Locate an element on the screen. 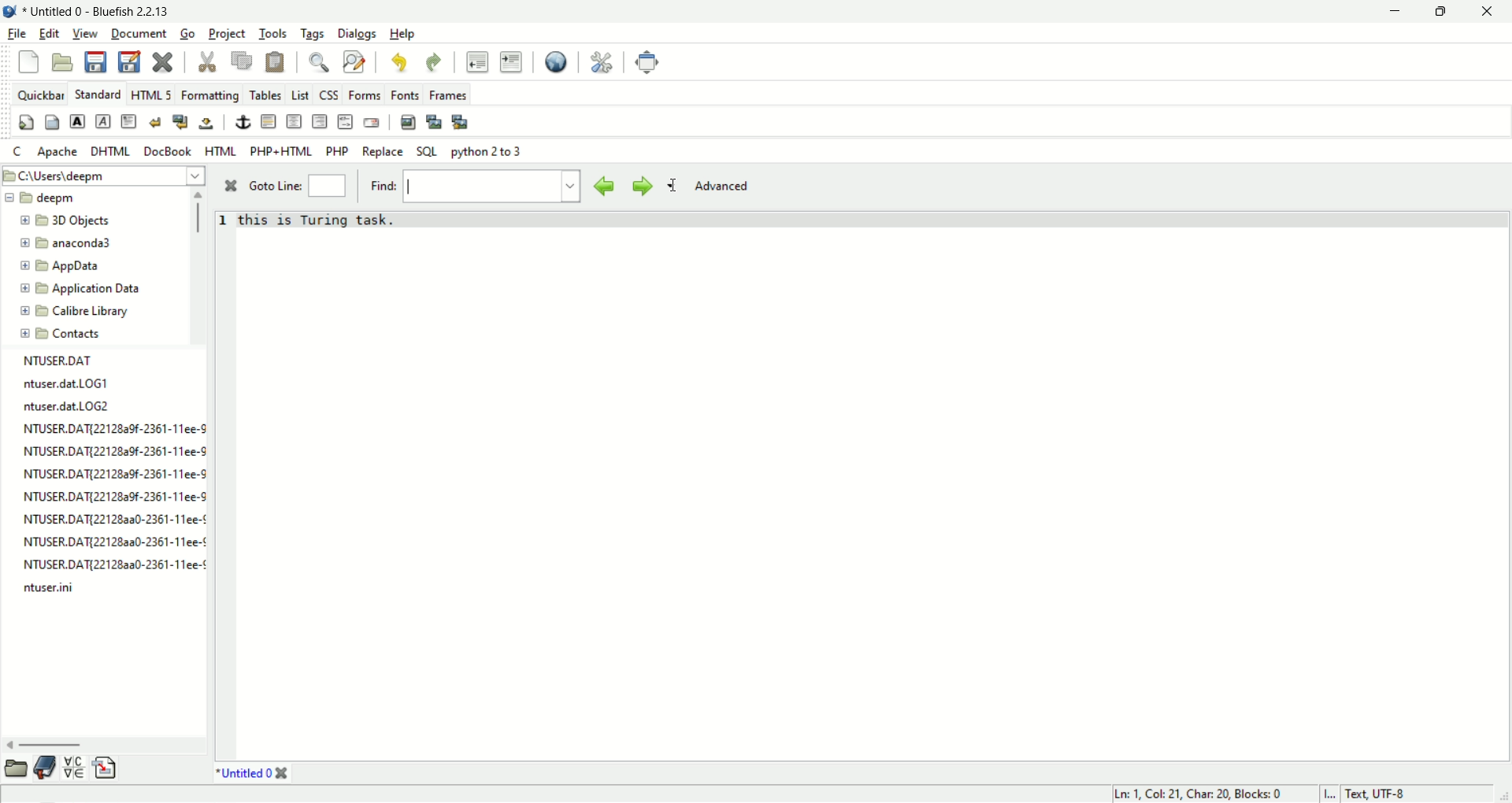 This screenshot has width=1512, height=803. C:\Users\deepm is located at coordinates (105, 174).